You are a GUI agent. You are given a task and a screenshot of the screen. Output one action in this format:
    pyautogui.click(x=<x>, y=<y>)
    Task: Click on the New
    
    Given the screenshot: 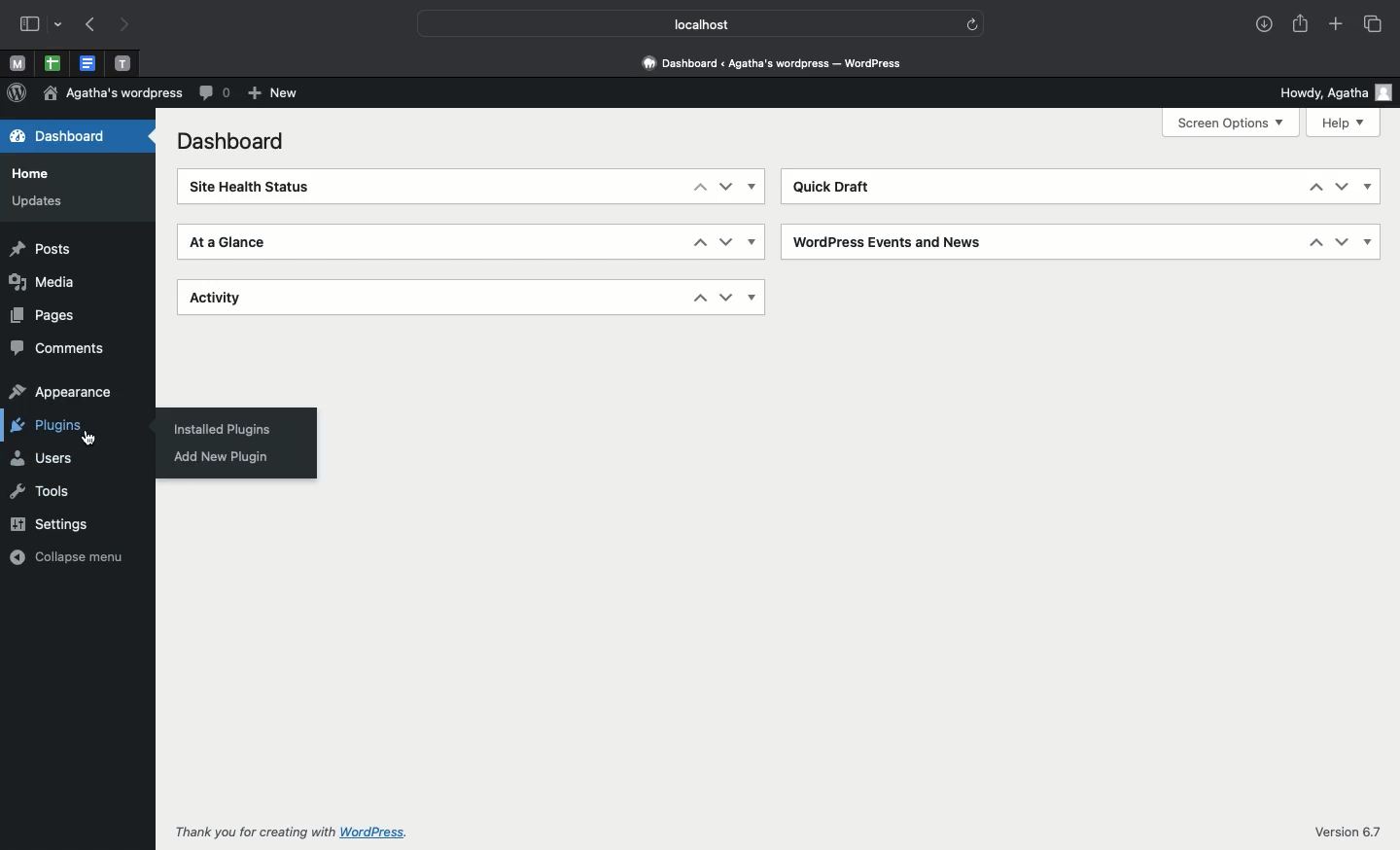 What is the action you would take?
    pyautogui.click(x=272, y=92)
    